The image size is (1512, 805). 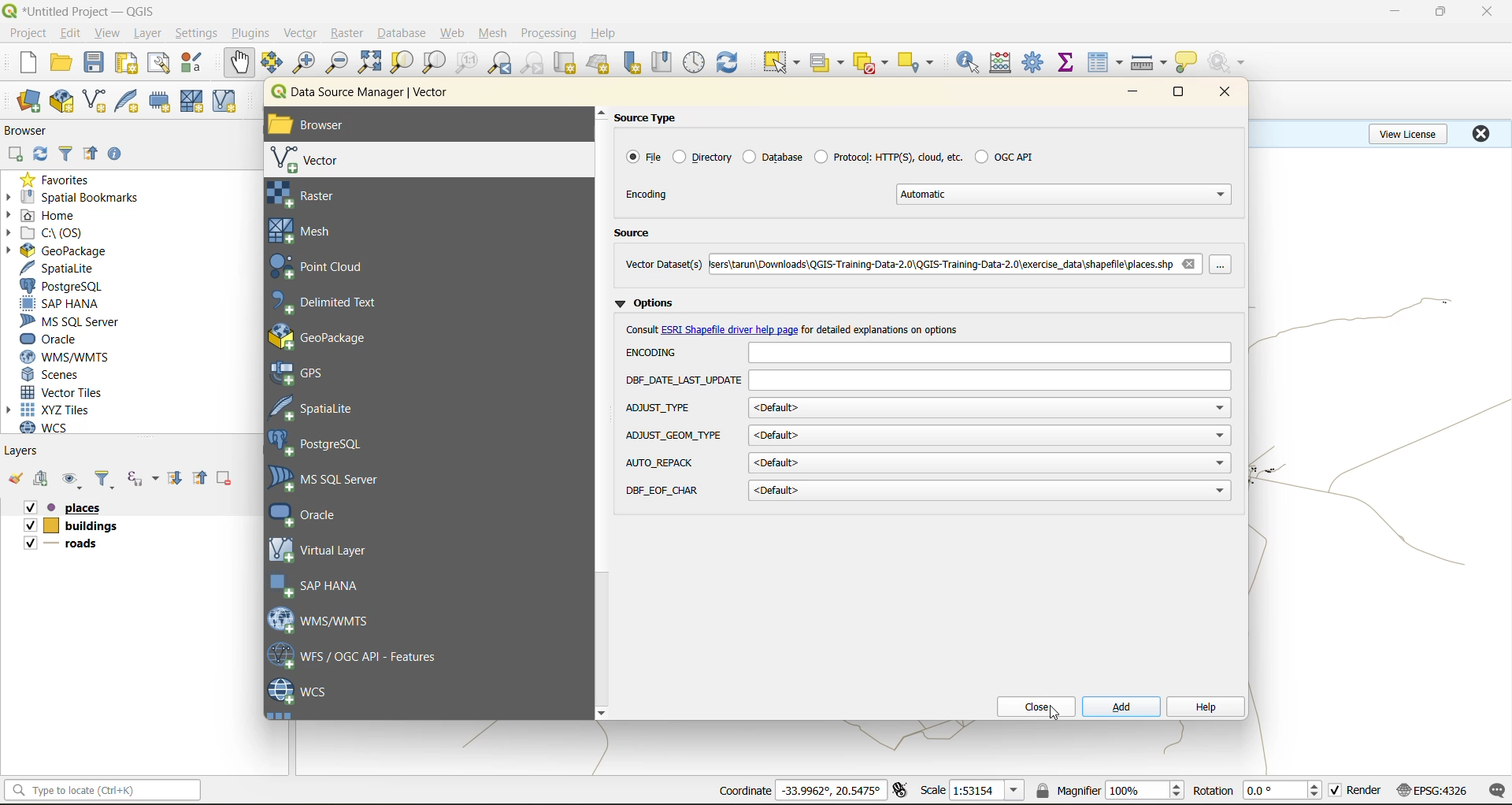 I want to click on dbf edf char, so click(x=990, y=492).